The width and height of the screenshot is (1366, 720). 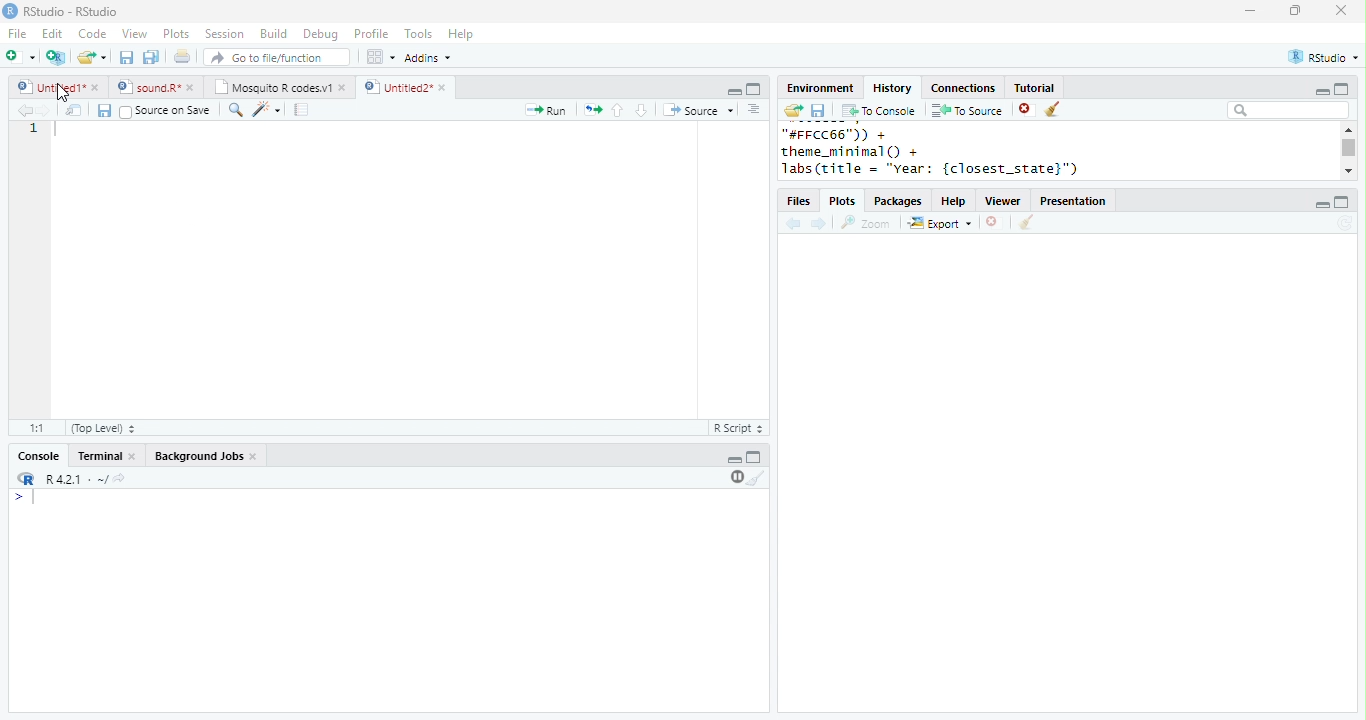 I want to click on close, so click(x=256, y=458).